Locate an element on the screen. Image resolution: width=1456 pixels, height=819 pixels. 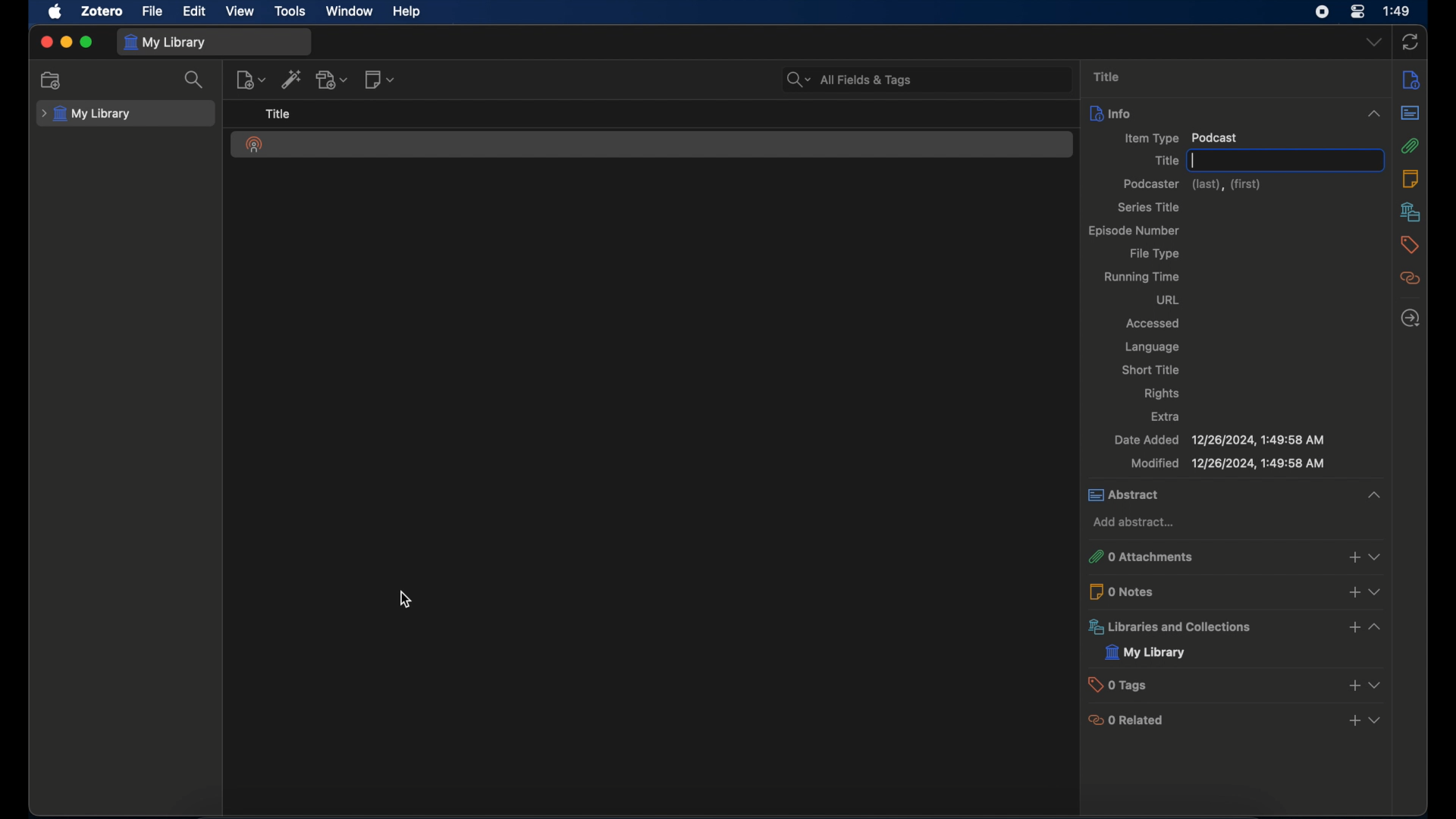
related is located at coordinates (1411, 279).